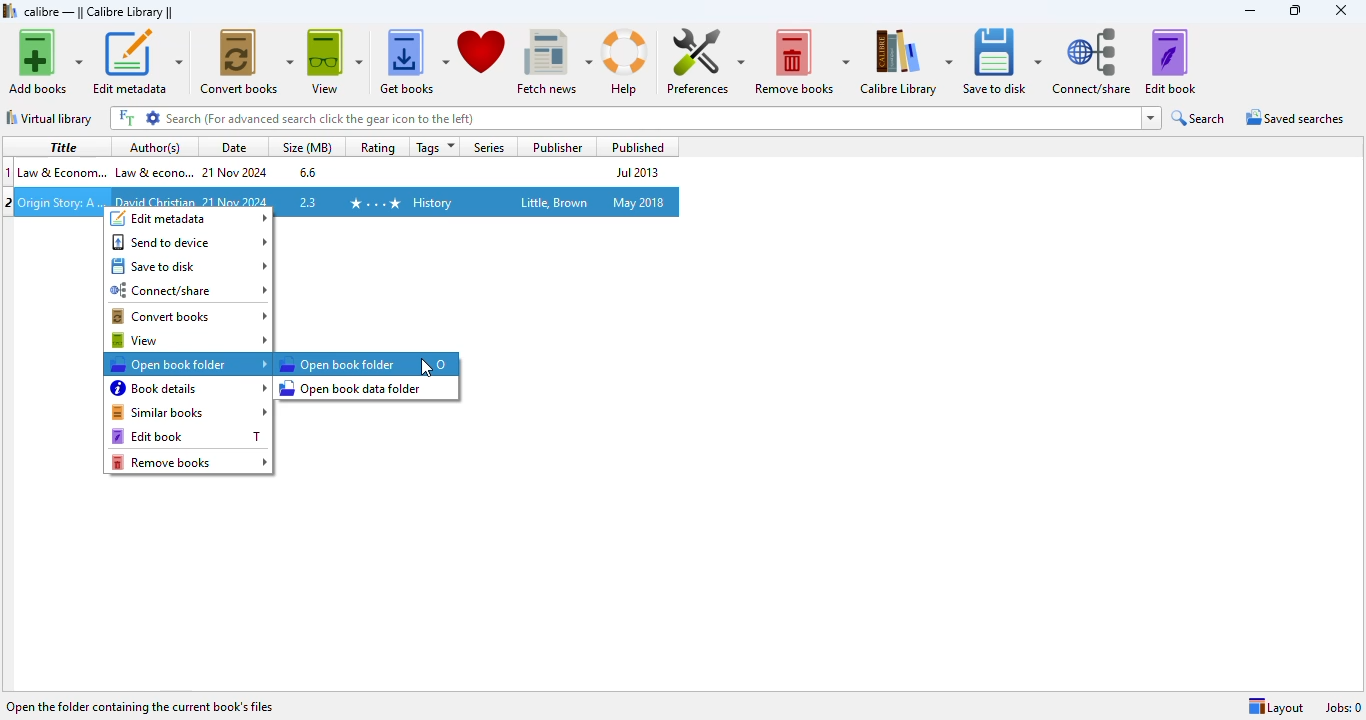 The width and height of the screenshot is (1366, 720). I want to click on similar books, so click(190, 412).